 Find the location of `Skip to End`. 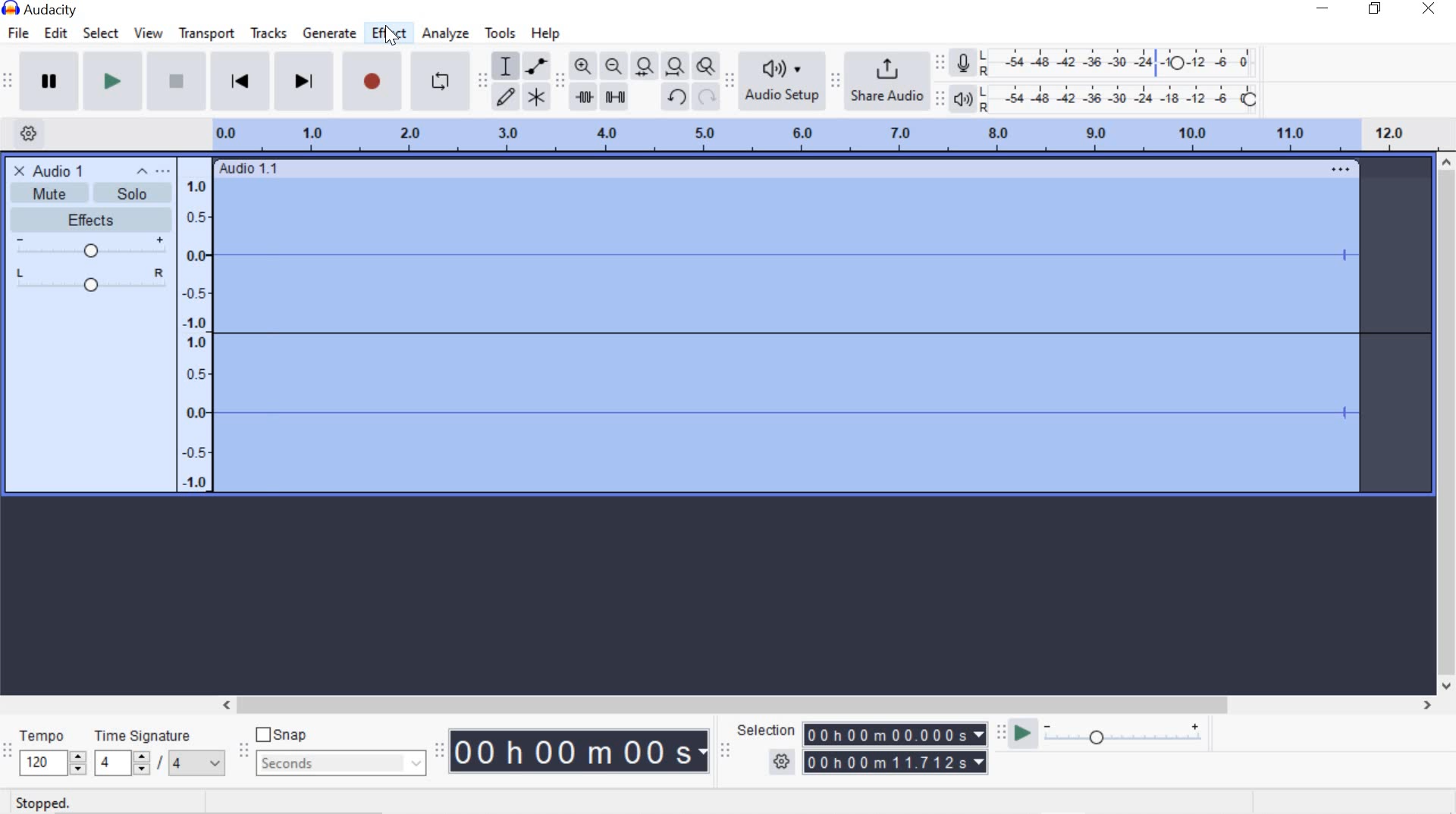

Skip to End is located at coordinates (306, 83).